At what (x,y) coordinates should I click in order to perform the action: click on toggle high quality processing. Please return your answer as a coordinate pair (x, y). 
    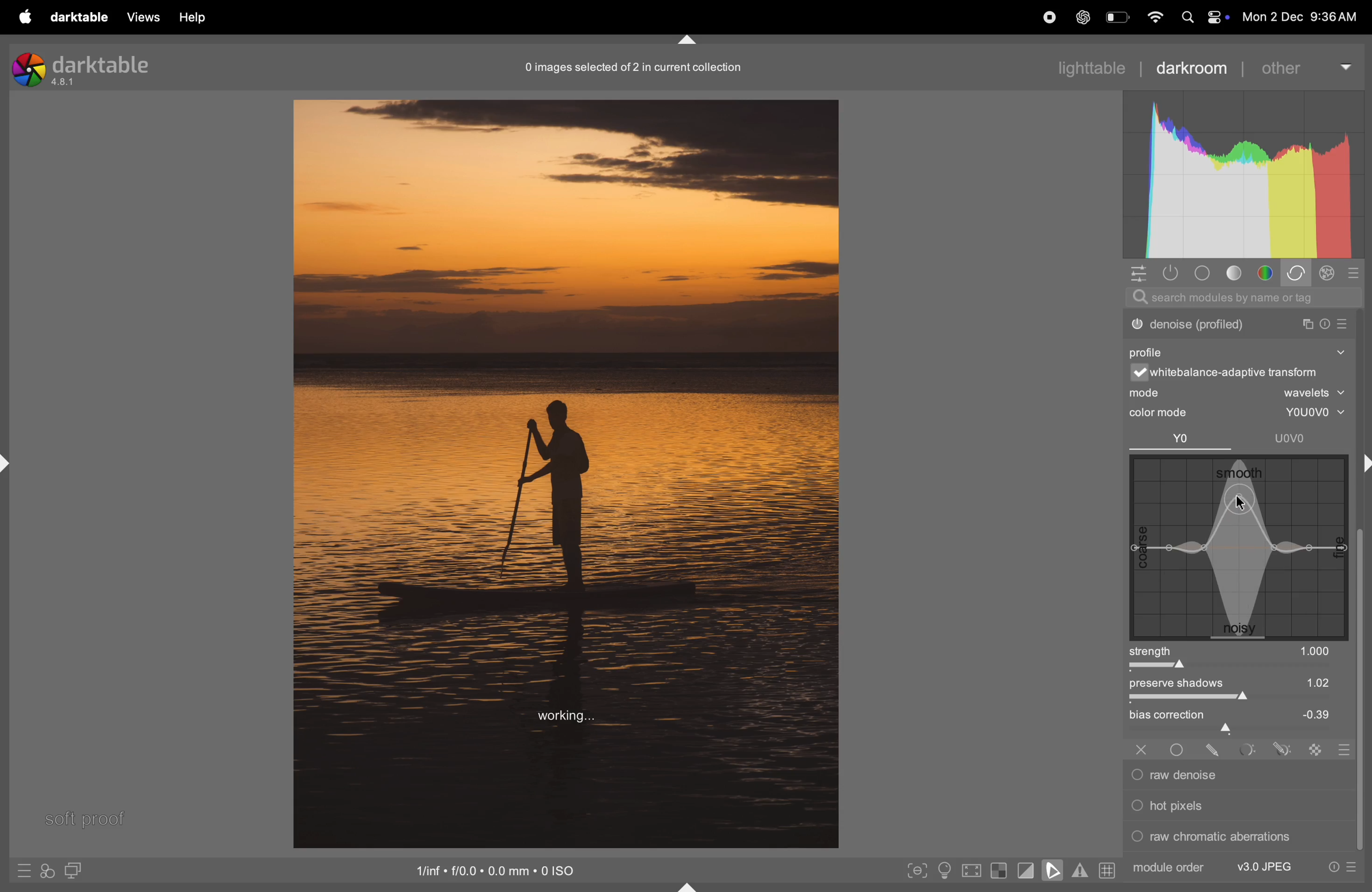
    Looking at the image, I should click on (972, 870).